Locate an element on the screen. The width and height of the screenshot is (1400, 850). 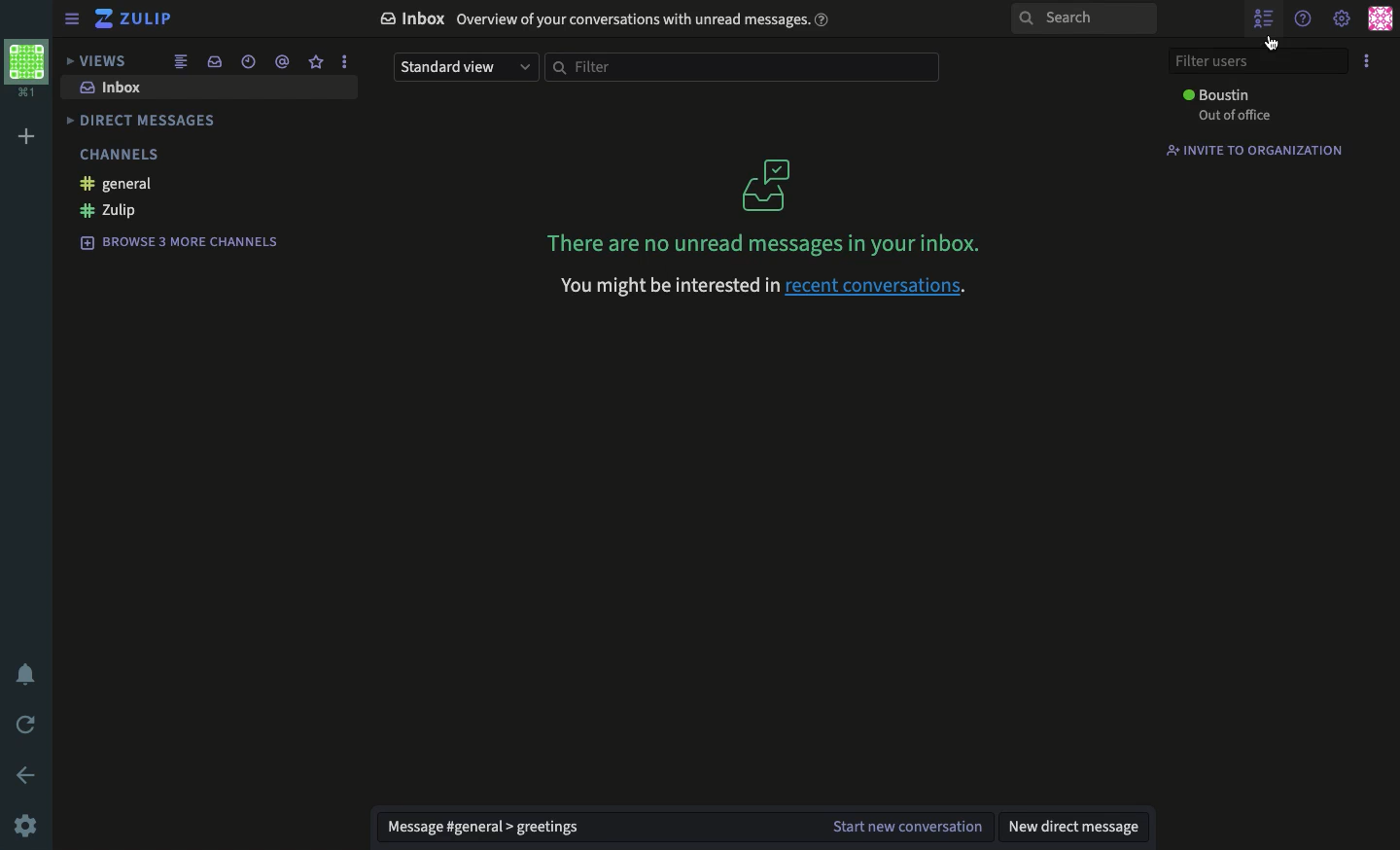
you might be interested in is located at coordinates (666, 287).